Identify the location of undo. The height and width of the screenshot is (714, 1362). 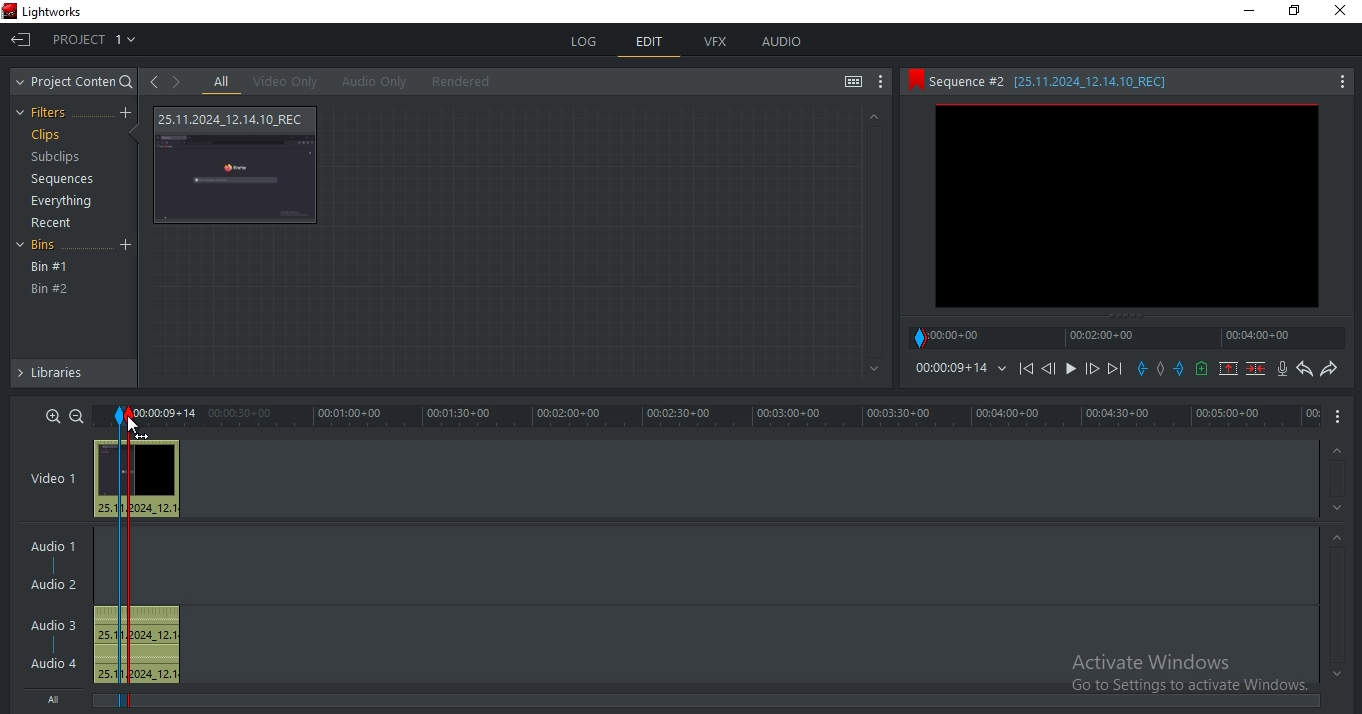
(1305, 369).